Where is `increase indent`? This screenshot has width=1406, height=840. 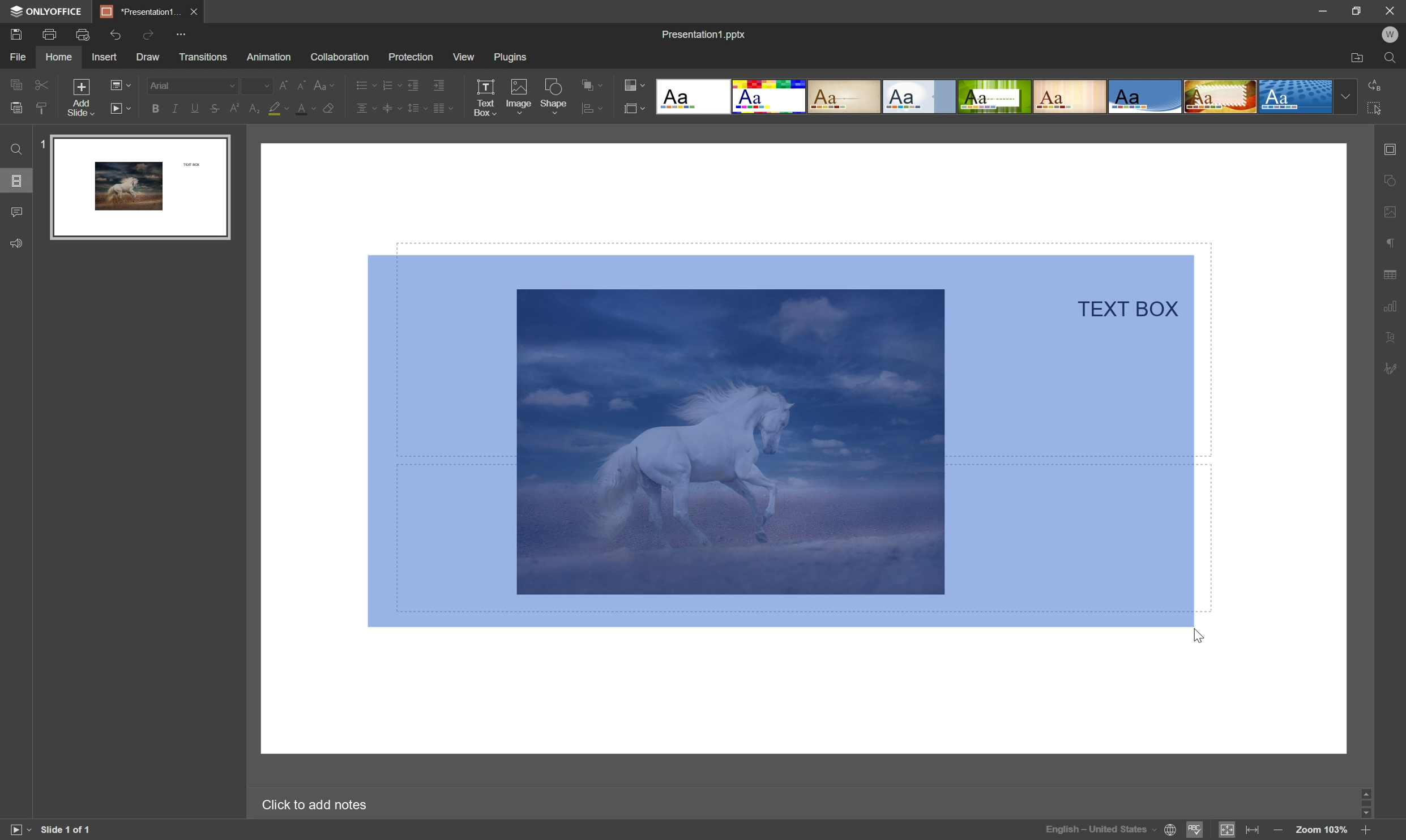 increase indent is located at coordinates (439, 85).